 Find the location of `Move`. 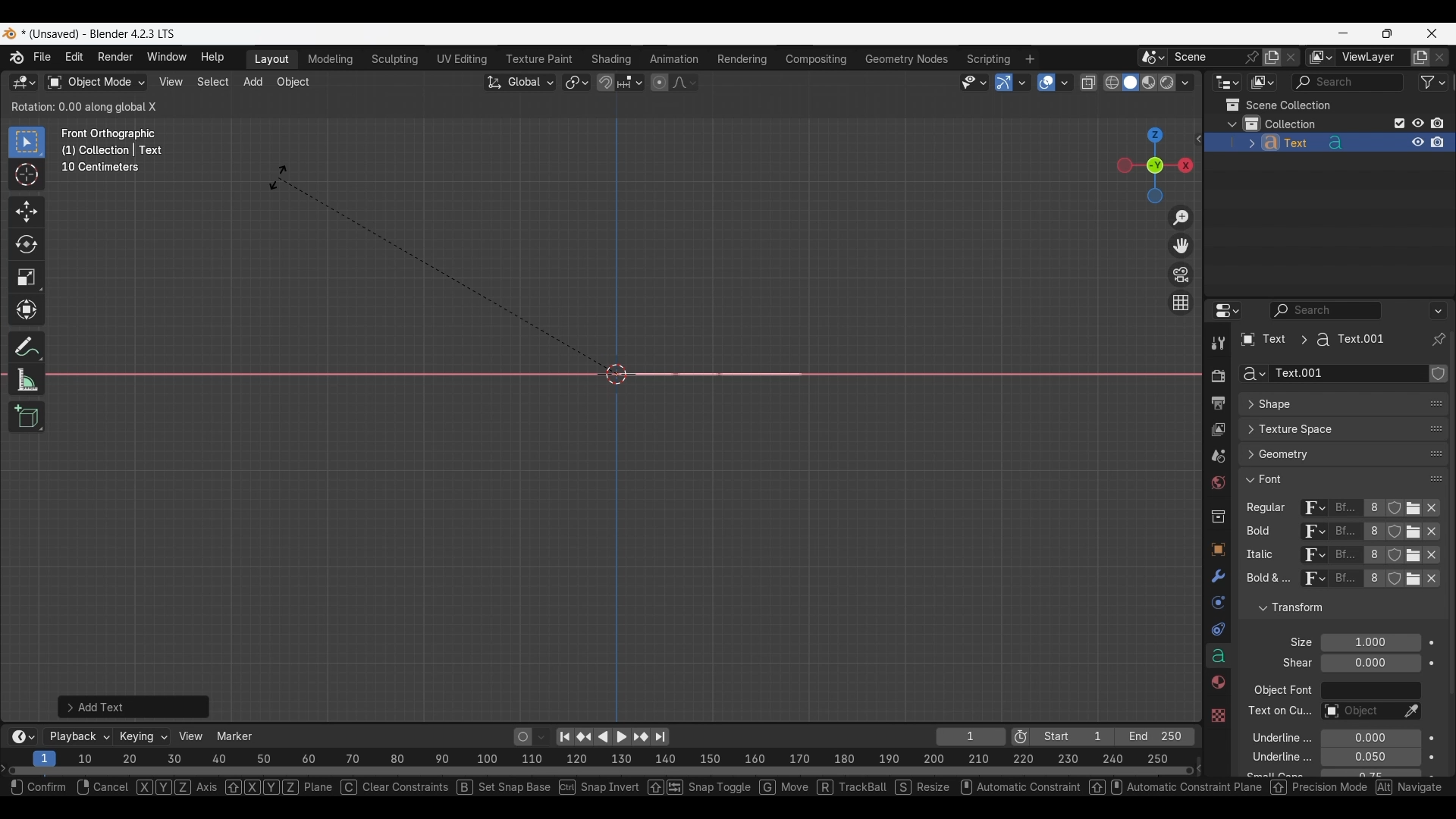

Move is located at coordinates (27, 212).